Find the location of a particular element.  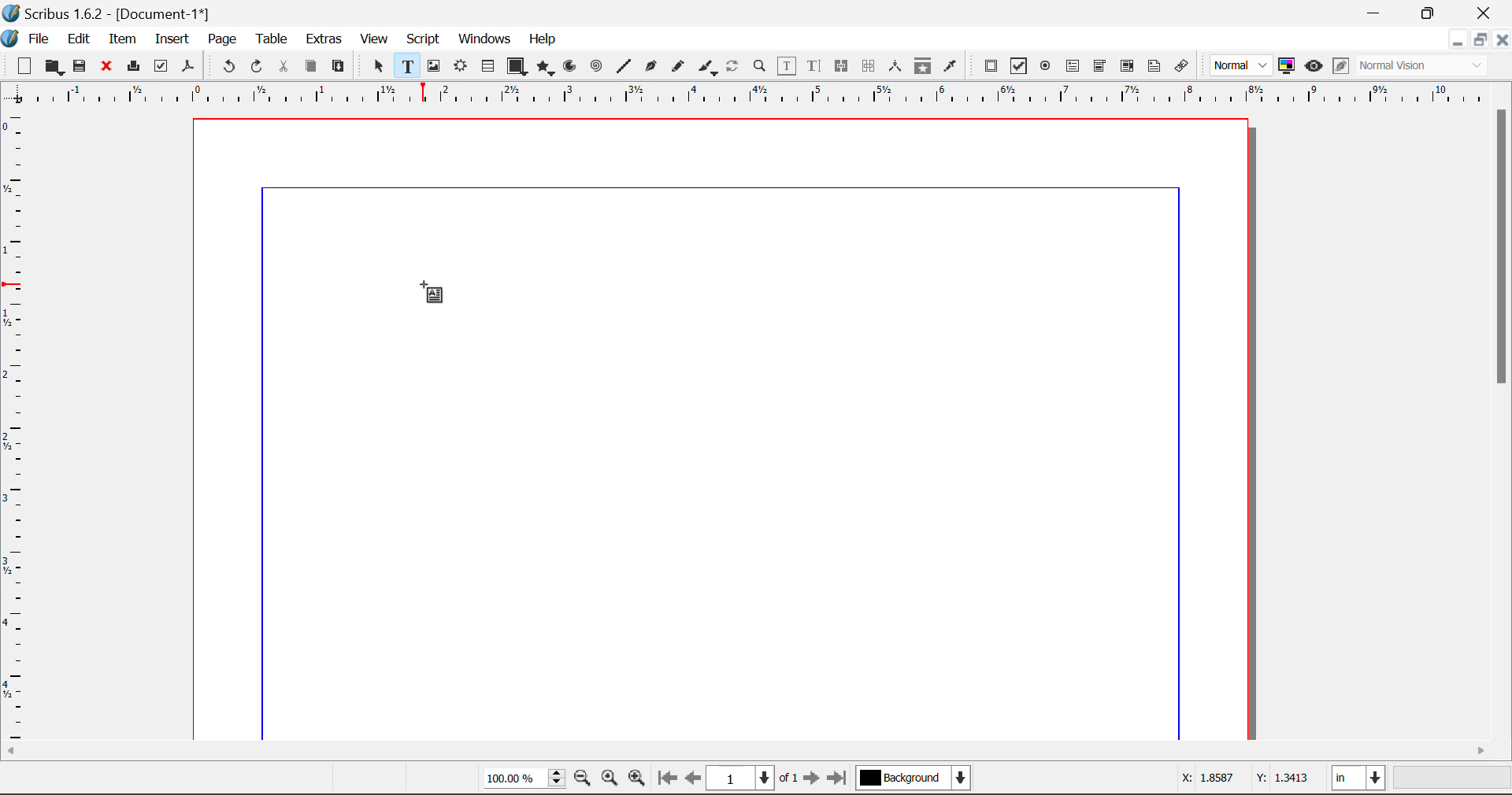

Cut is located at coordinates (285, 66).